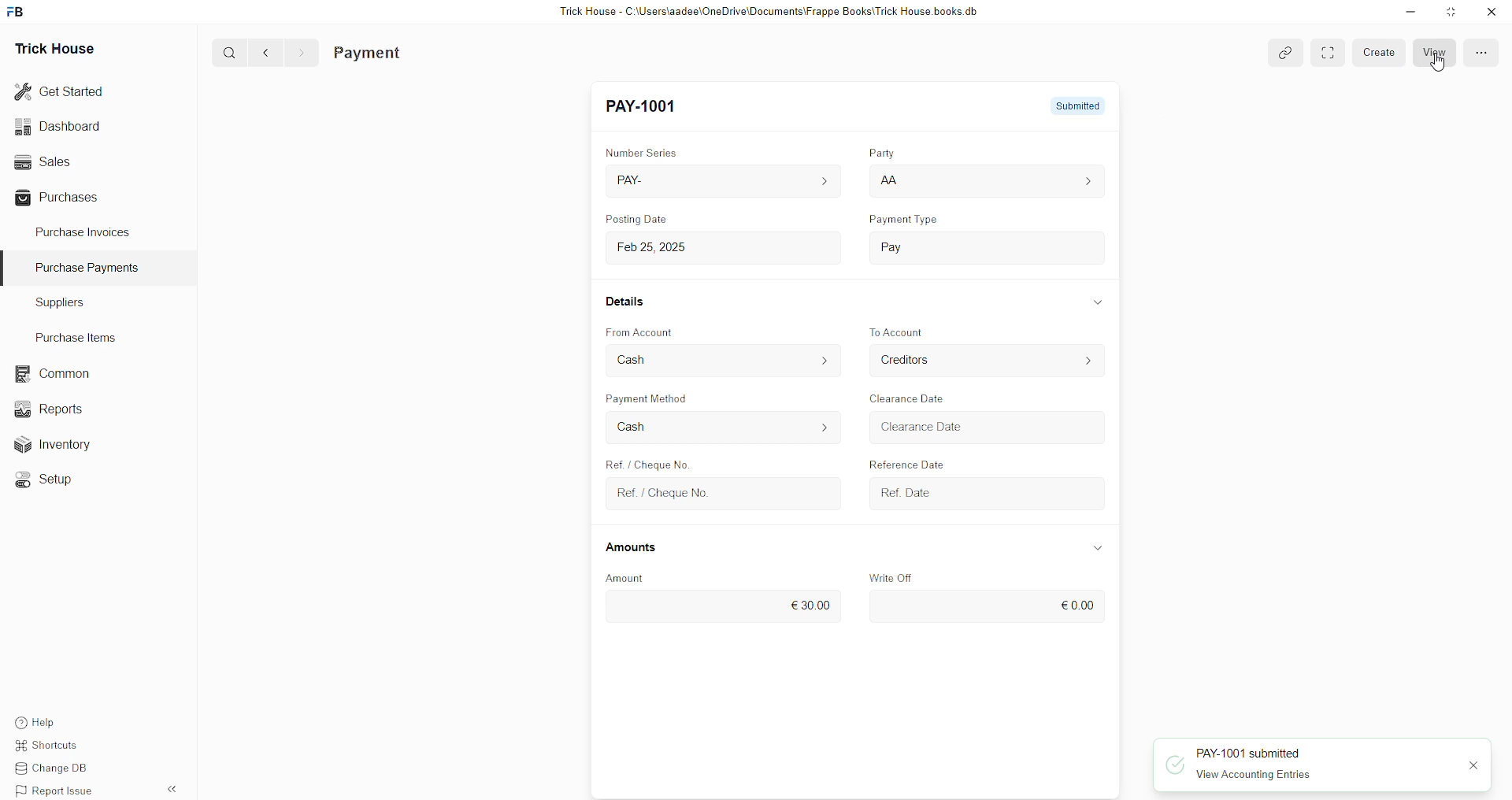 The width and height of the screenshot is (1512, 800). What do you see at coordinates (262, 52) in the screenshot?
I see `<` at bounding box center [262, 52].